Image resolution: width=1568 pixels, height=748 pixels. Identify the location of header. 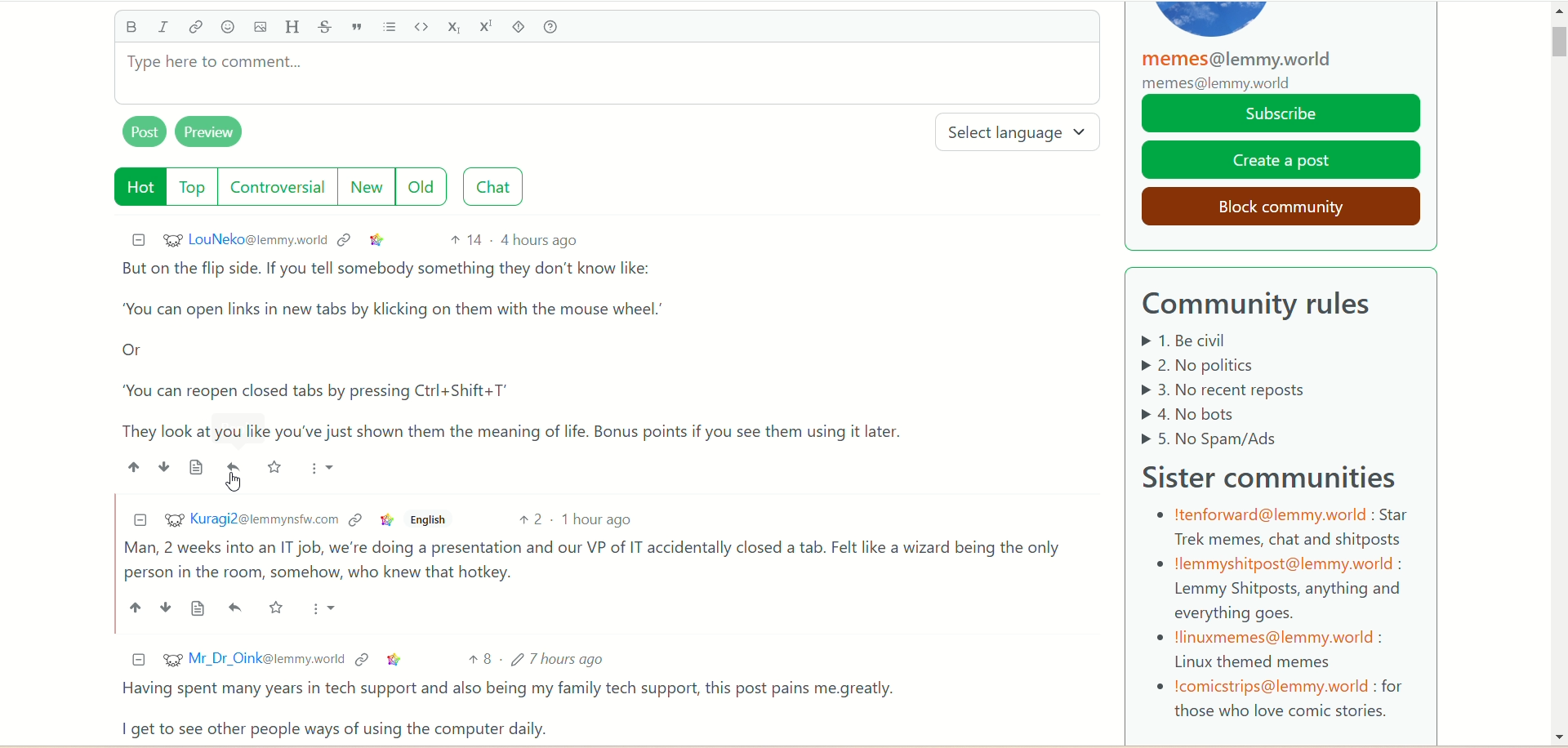
(292, 27).